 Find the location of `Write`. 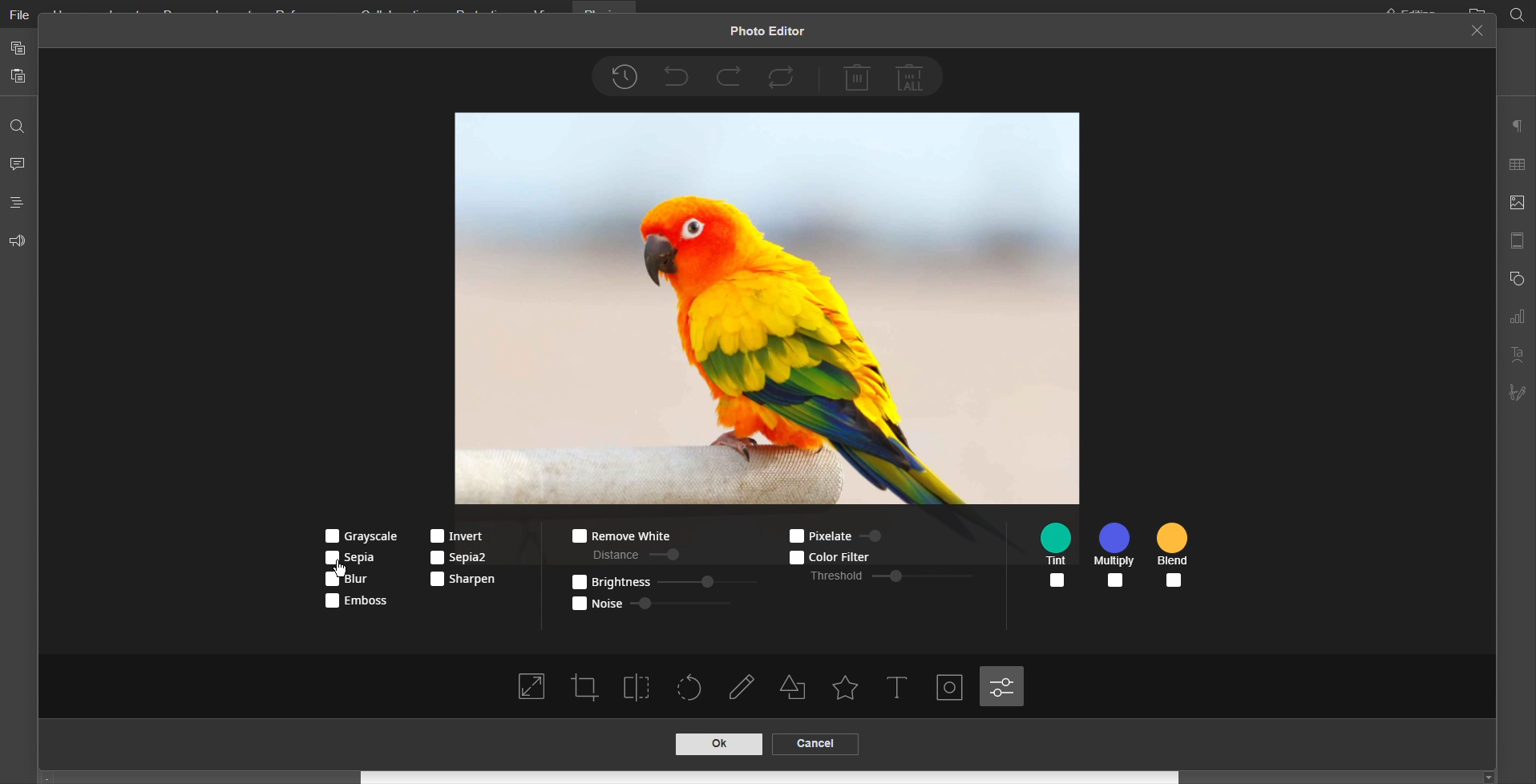

Write is located at coordinates (745, 689).